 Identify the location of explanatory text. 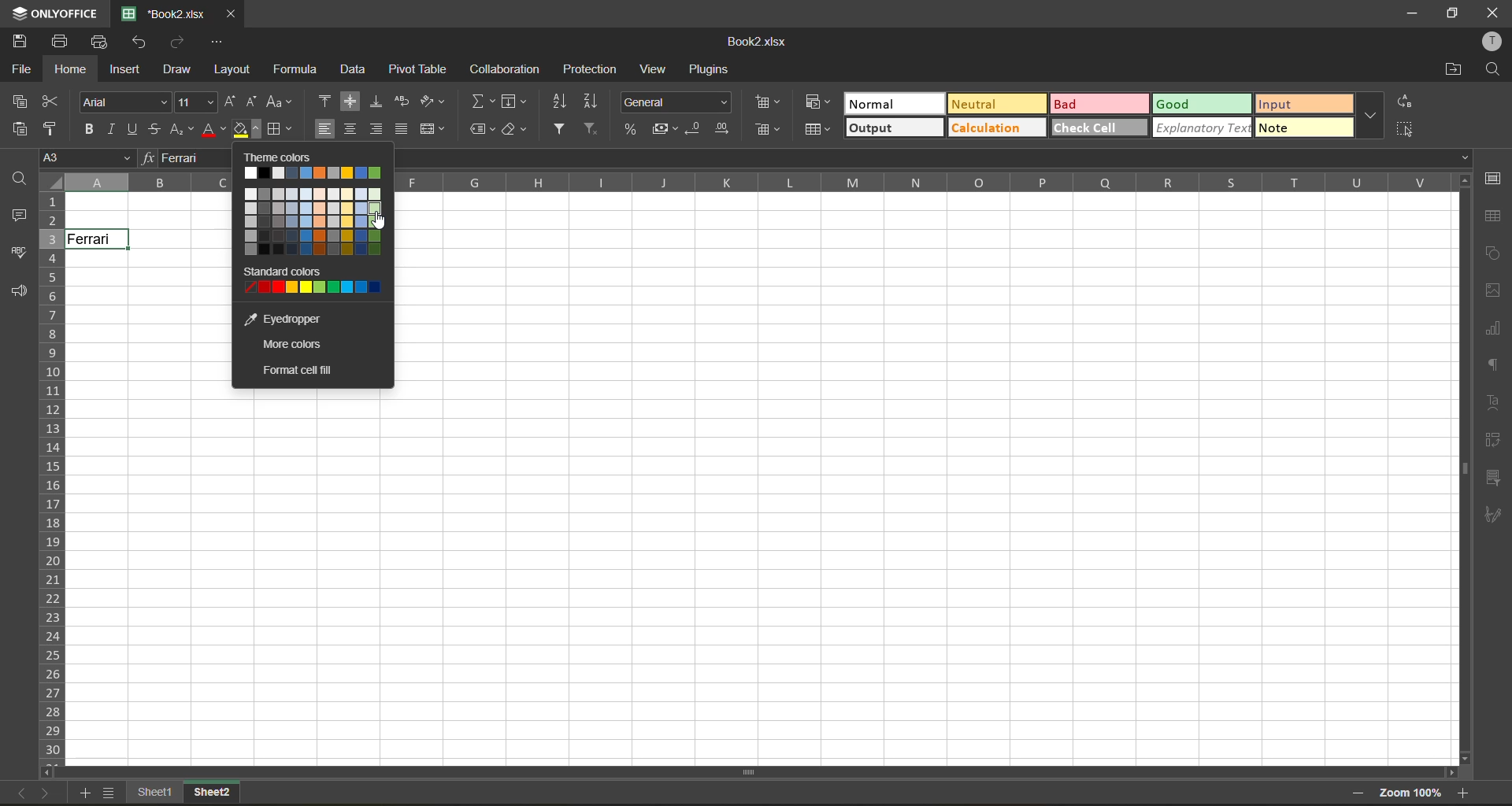
(1201, 130).